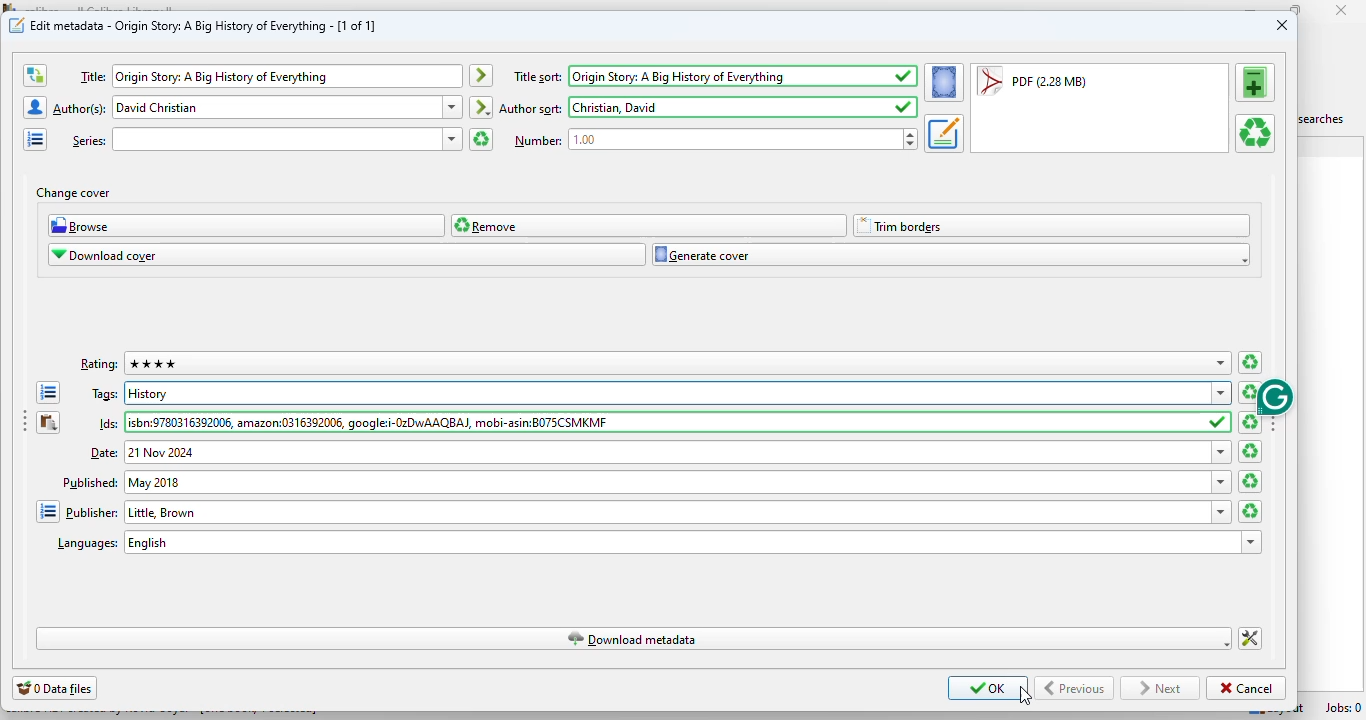 The height and width of the screenshot is (720, 1366). What do you see at coordinates (632, 639) in the screenshot?
I see `download metadata` at bounding box center [632, 639].